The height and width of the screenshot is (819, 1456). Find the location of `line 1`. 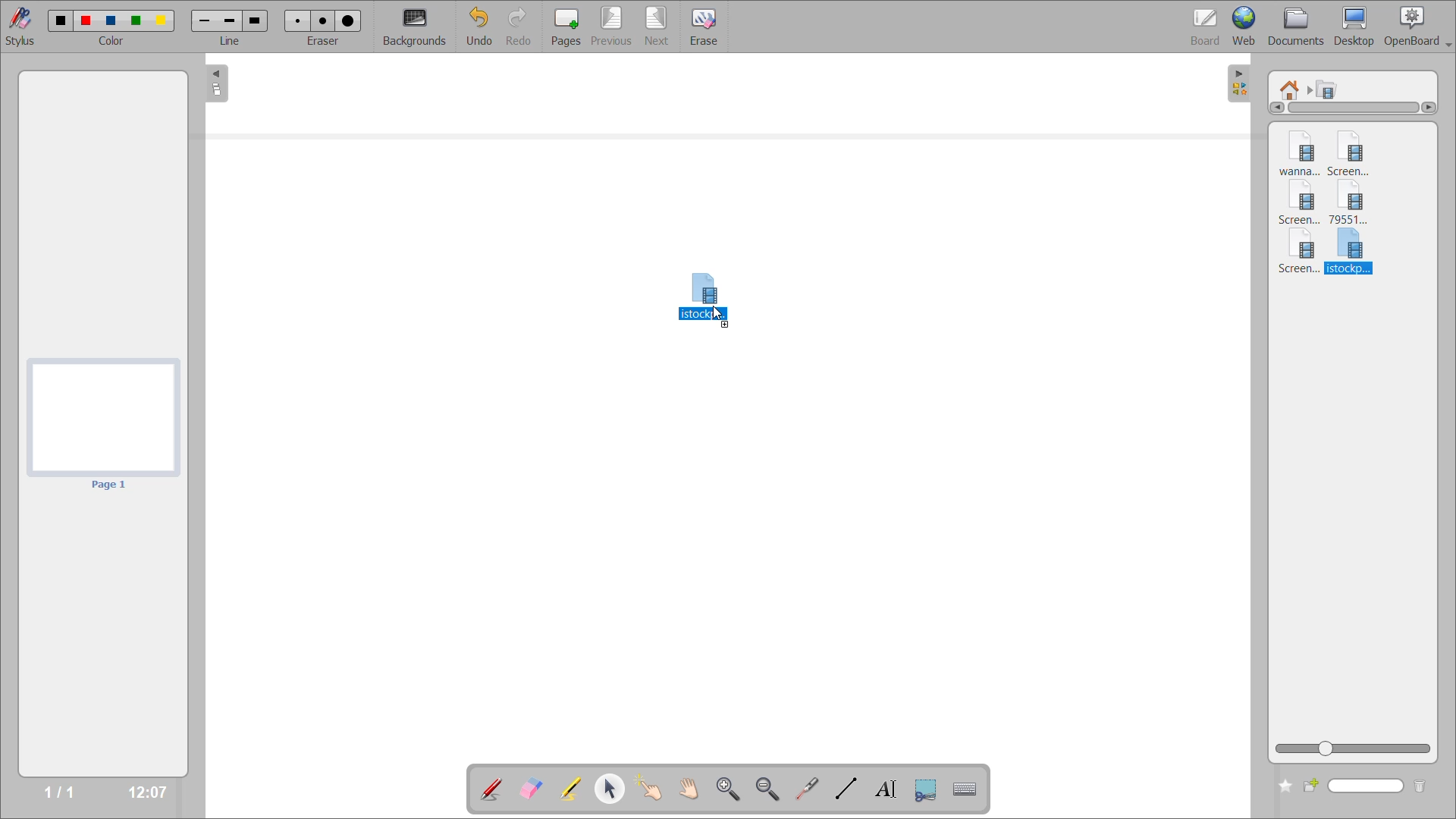

line 1 is located at coordinates (205, 22).